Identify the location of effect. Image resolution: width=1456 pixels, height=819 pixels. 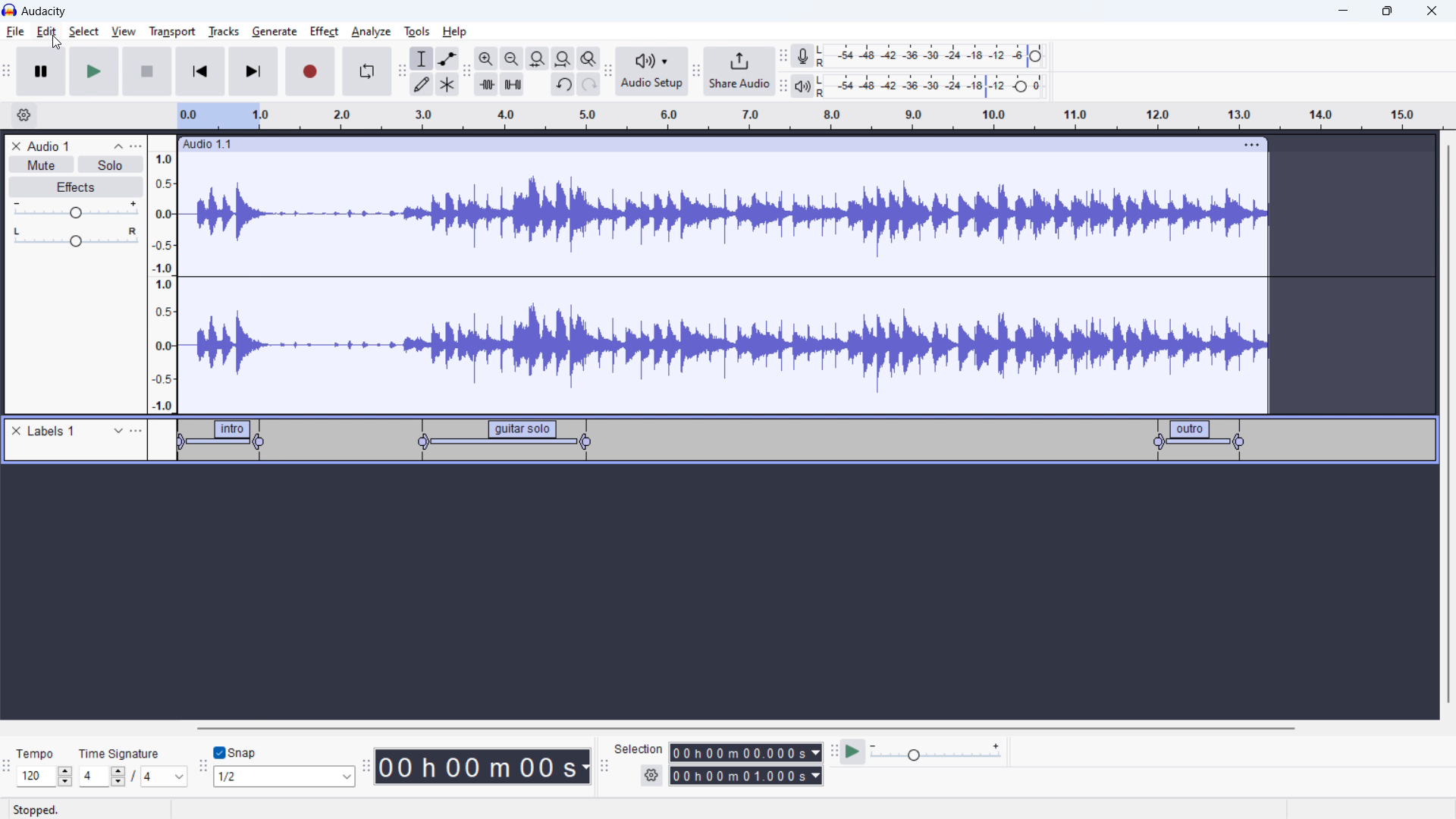
(325, 32).